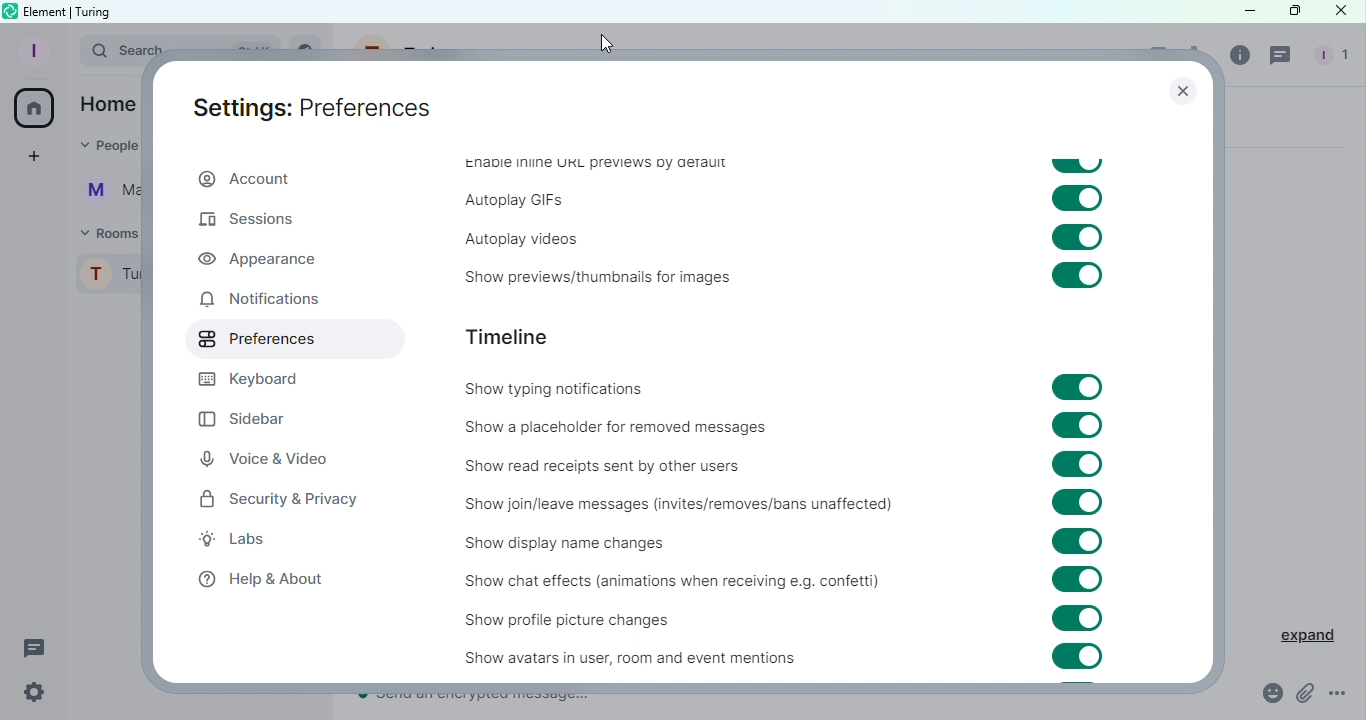 This screenshot has width=1366, height=720. Describe the element at coordinates (257, 414) in the screenshot. I see `Sidebar` at that location.